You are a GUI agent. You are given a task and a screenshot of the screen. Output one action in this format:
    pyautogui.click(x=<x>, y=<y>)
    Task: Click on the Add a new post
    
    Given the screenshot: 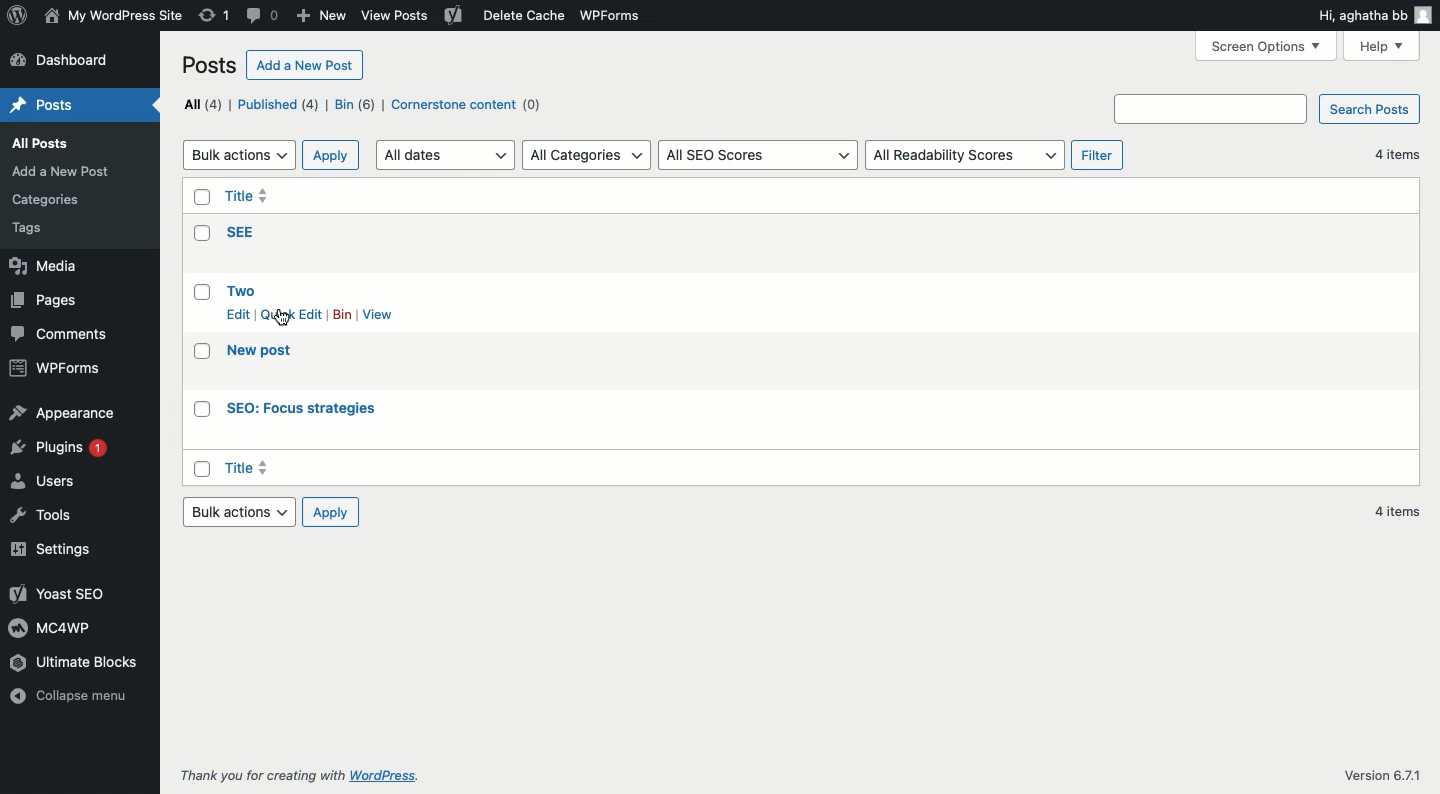 What is the action you would take?
    pyautogui.click(x=307, y=66)
    